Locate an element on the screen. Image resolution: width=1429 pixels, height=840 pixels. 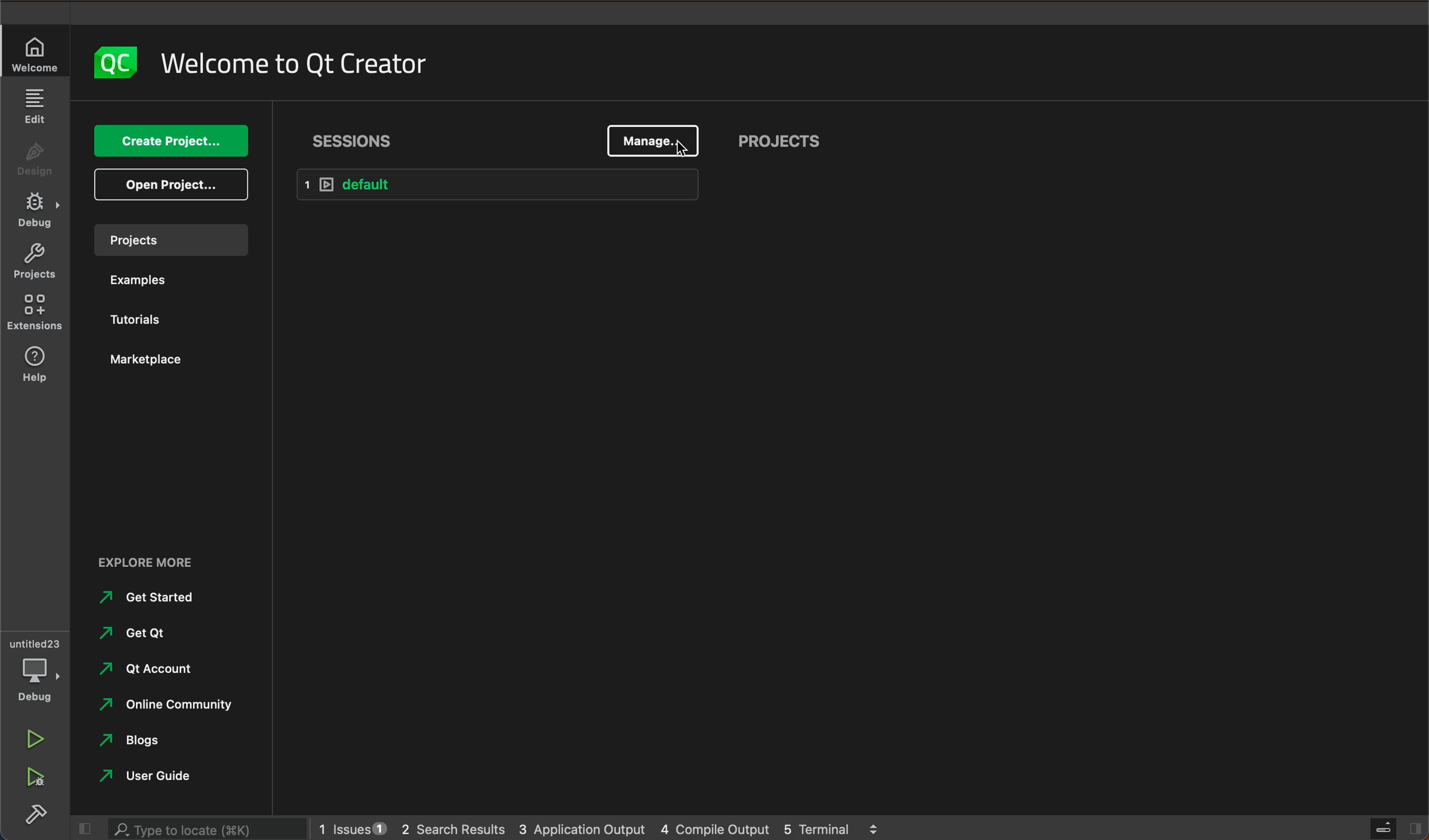
tutorials is located at coordinates (142, 322).